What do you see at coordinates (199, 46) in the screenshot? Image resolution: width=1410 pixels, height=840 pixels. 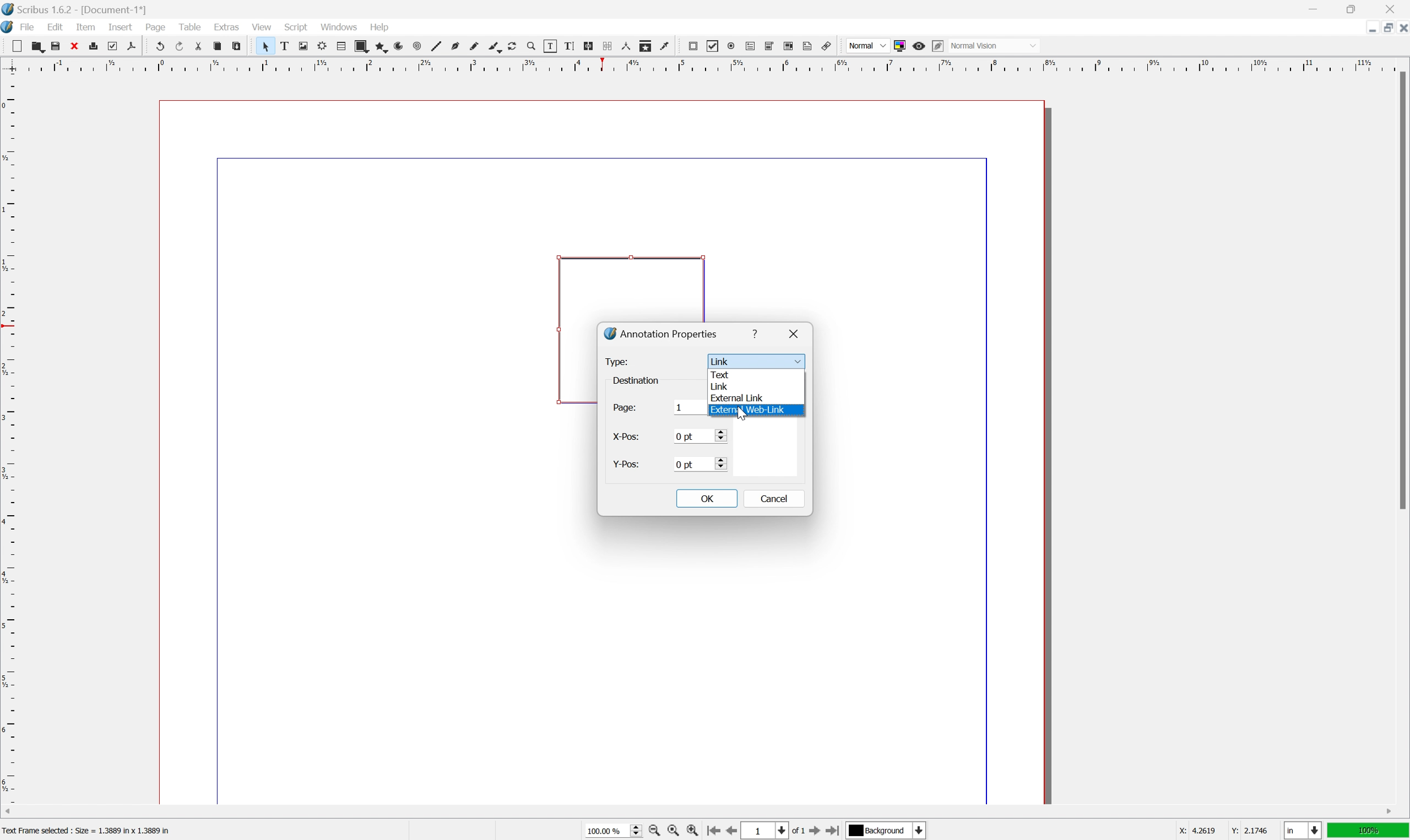 I see `cut` at bounding box center [199, 46].